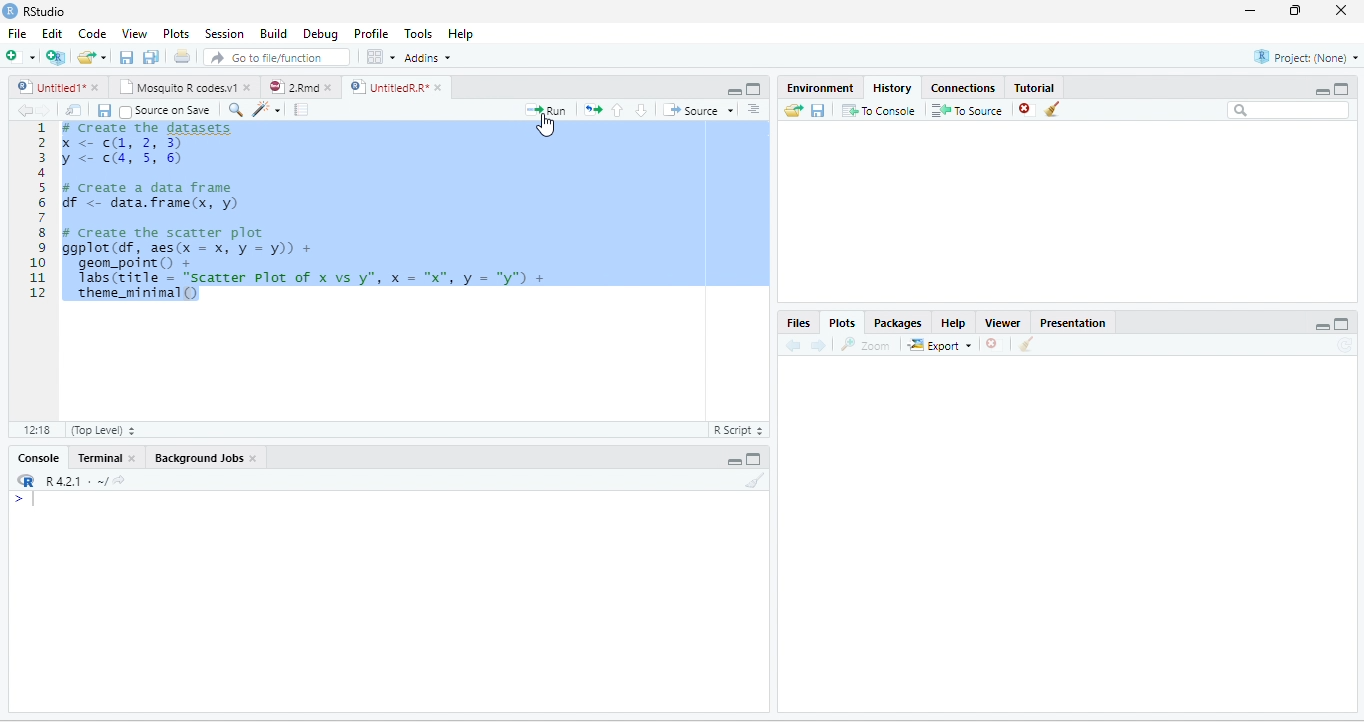  I want to click on To Source, so click(968, 111).